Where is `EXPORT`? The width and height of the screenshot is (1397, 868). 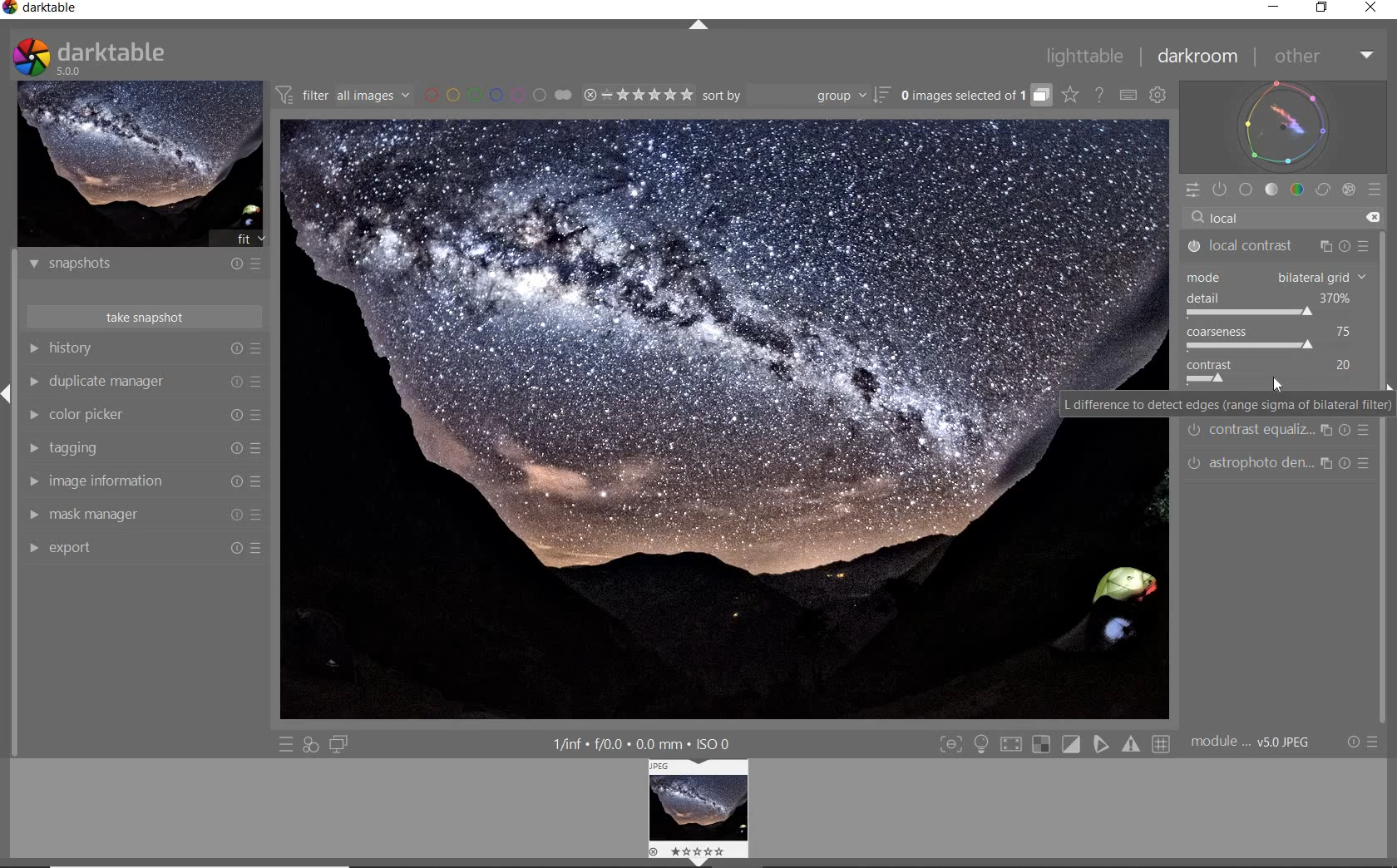
EXPORT is located at coordinates (32, 550).